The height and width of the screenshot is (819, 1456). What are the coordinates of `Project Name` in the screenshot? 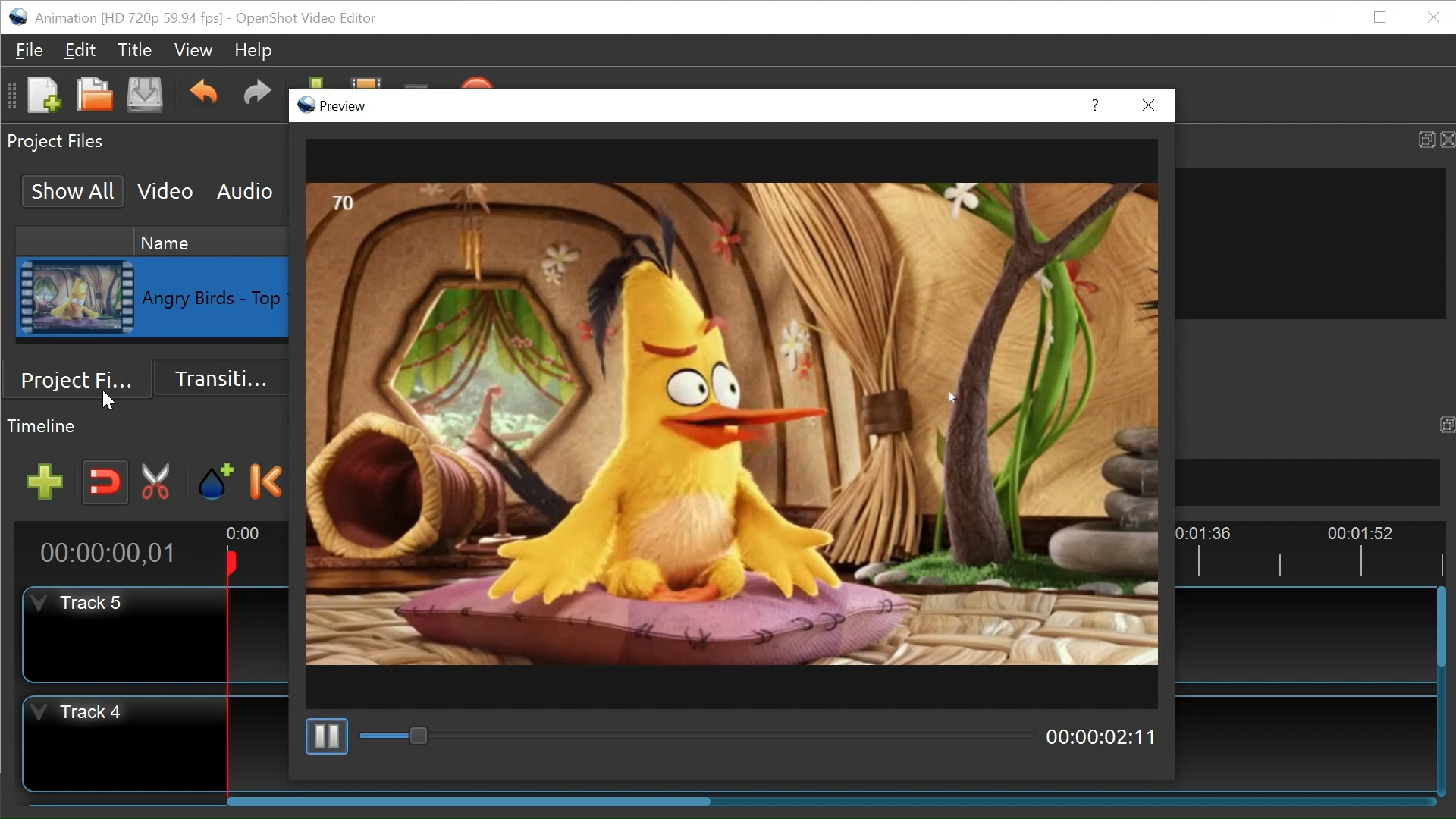 It's located at (129, 20).